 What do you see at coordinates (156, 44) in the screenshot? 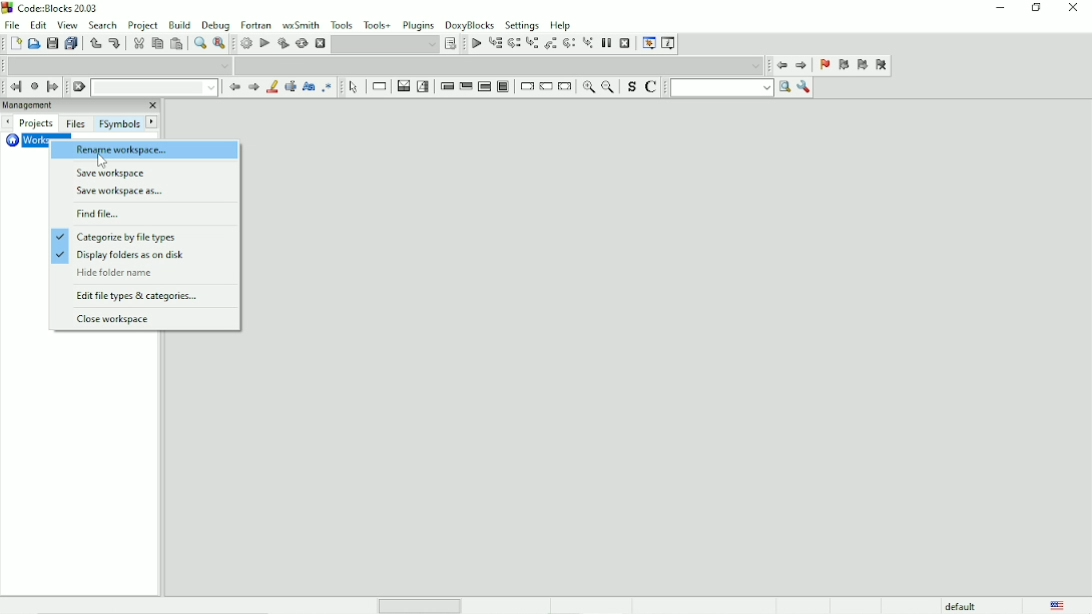
I see `Copy` at bounding box center [156, 44].